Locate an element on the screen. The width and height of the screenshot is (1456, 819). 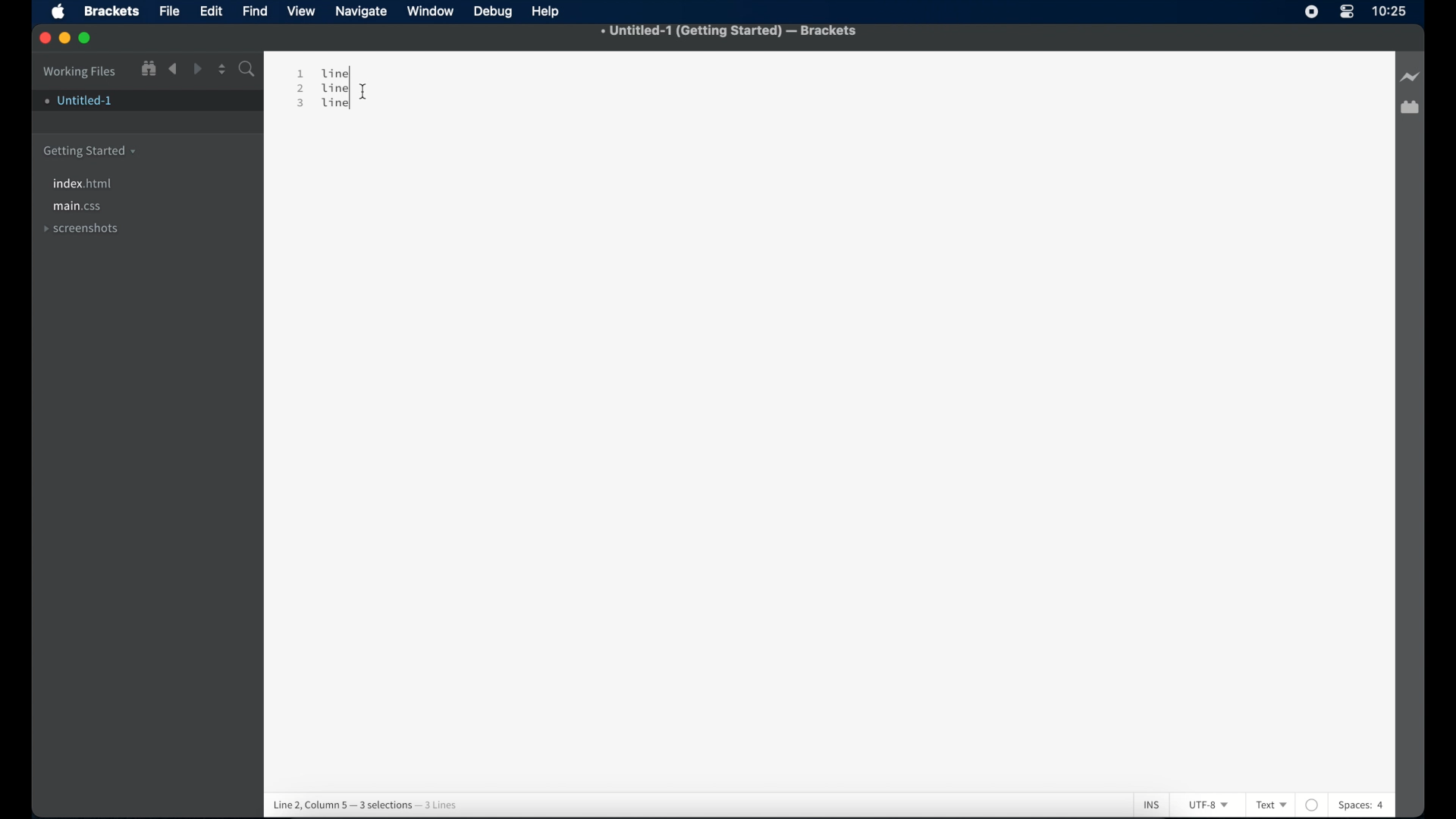
debug is located at coordinates (494, 12).